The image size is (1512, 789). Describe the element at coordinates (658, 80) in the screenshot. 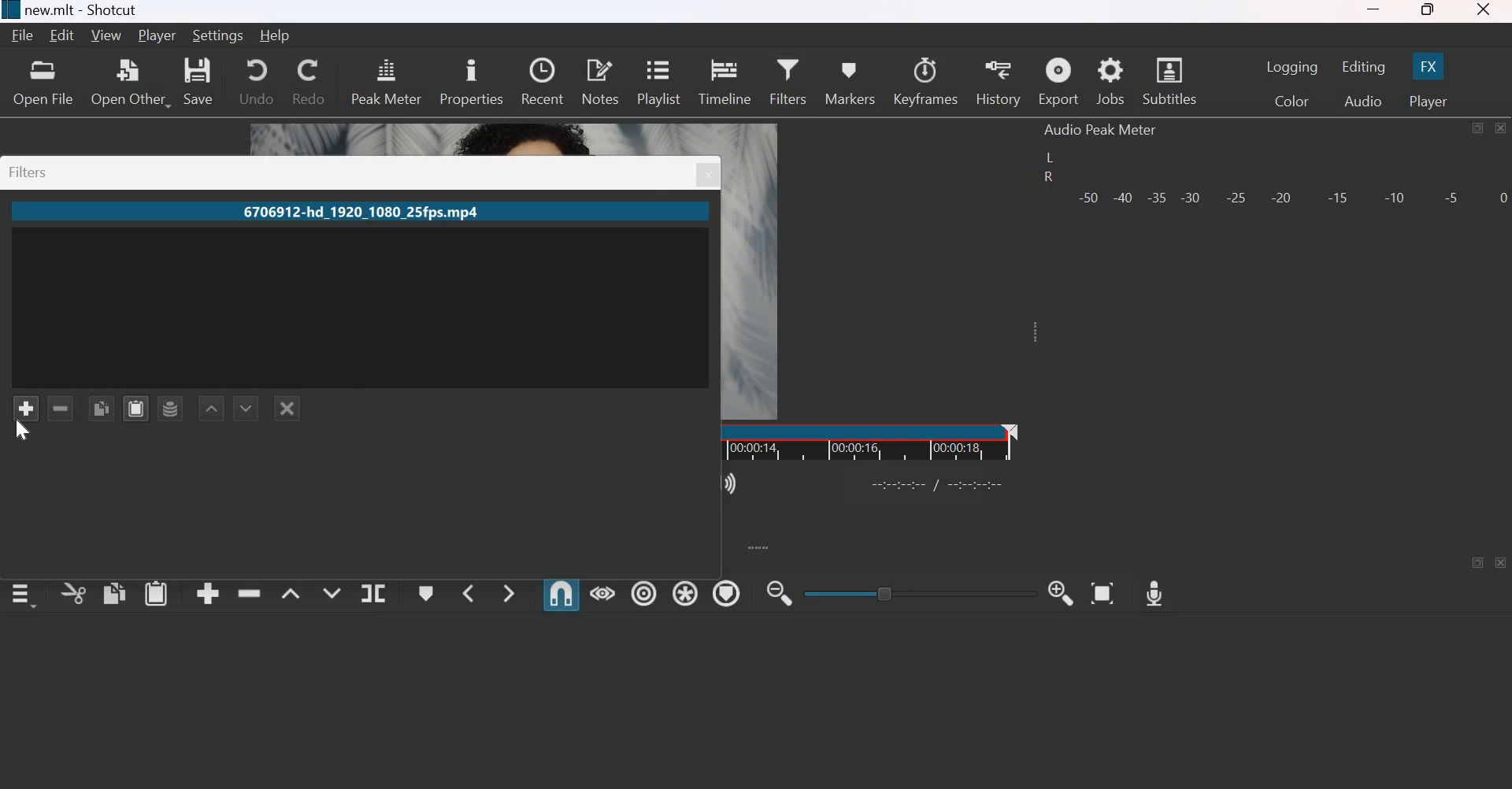

I see `playlist` at that location.